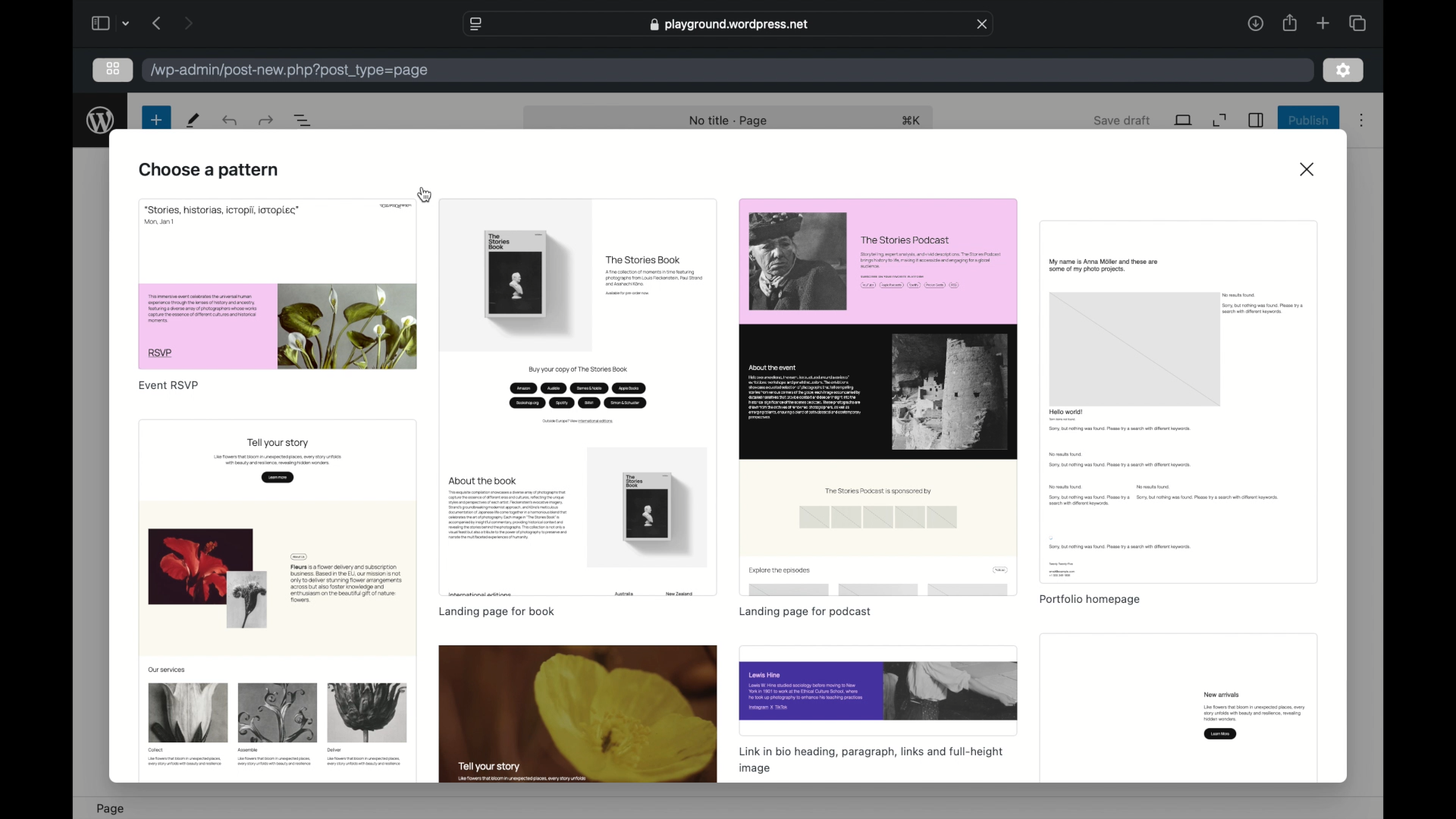 This screenshot has width=1456, height=819. I want to click on previous, so click(155, 23).